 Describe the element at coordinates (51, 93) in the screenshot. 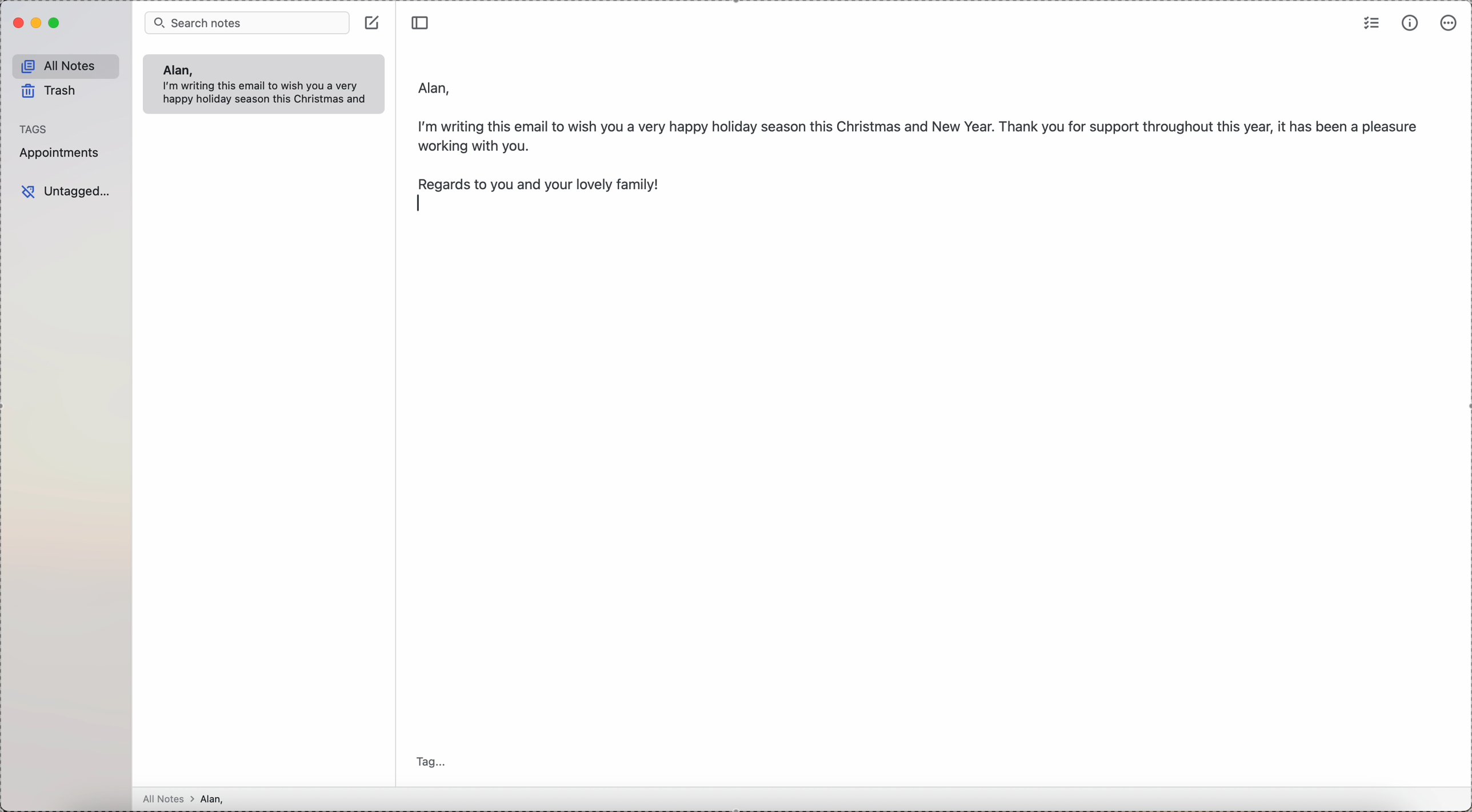

I see `trash` at that location.